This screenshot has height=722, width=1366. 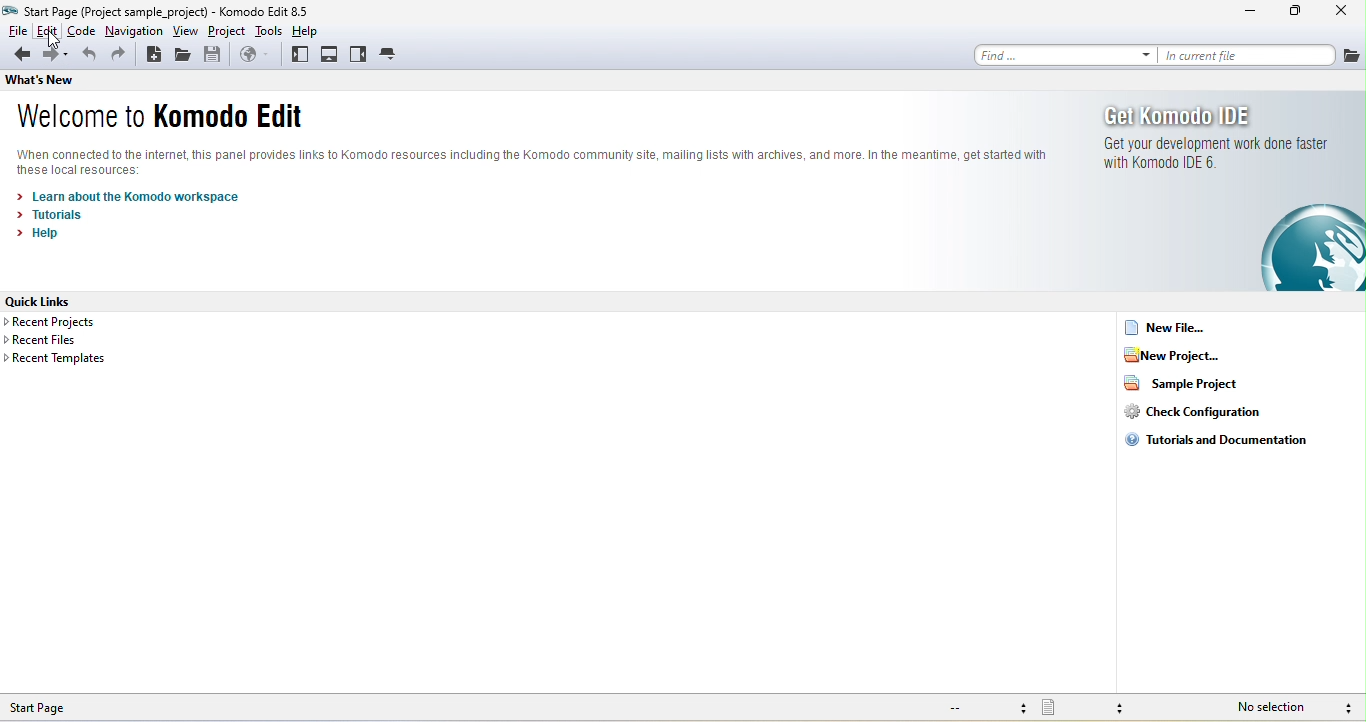 I want to click on project, so click(x=225, y=30).